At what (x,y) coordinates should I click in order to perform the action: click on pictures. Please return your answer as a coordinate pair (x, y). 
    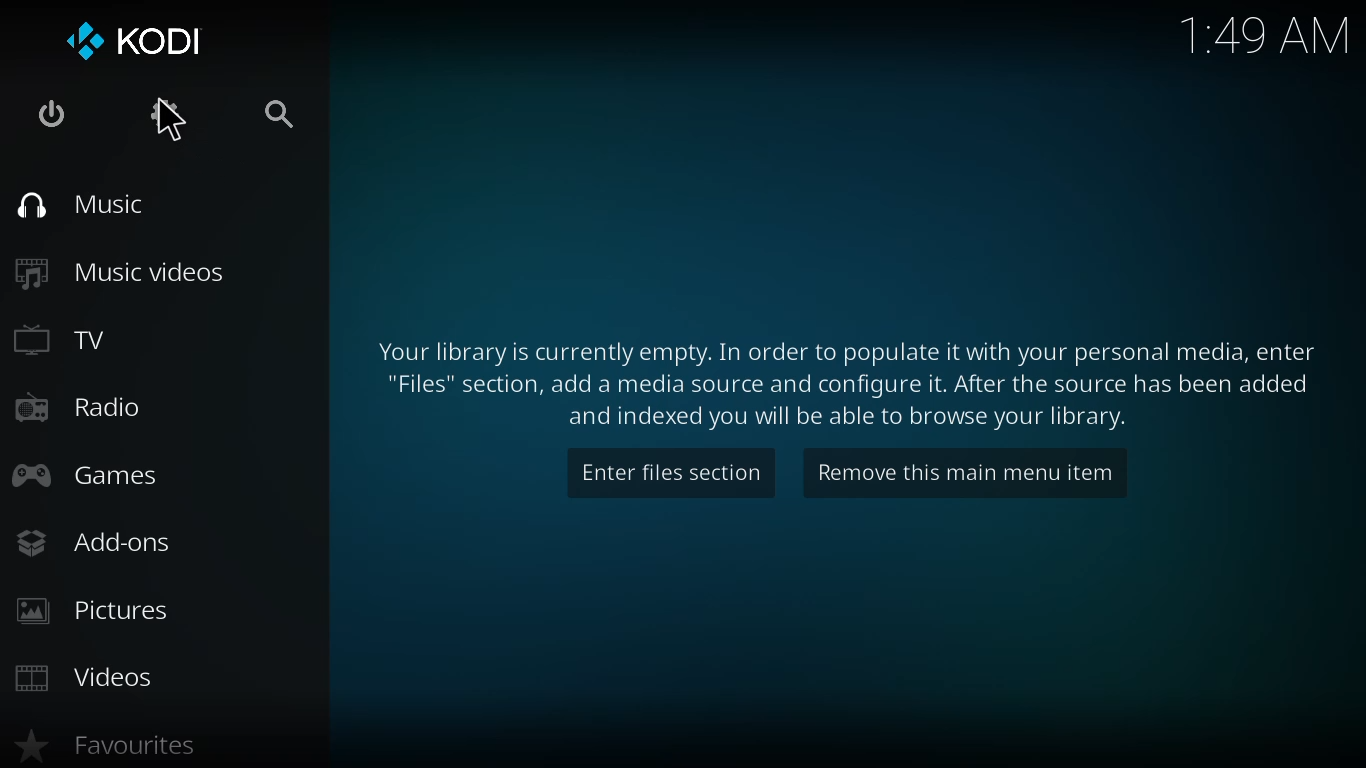
    Looking at the image, I should click on (87, 611).